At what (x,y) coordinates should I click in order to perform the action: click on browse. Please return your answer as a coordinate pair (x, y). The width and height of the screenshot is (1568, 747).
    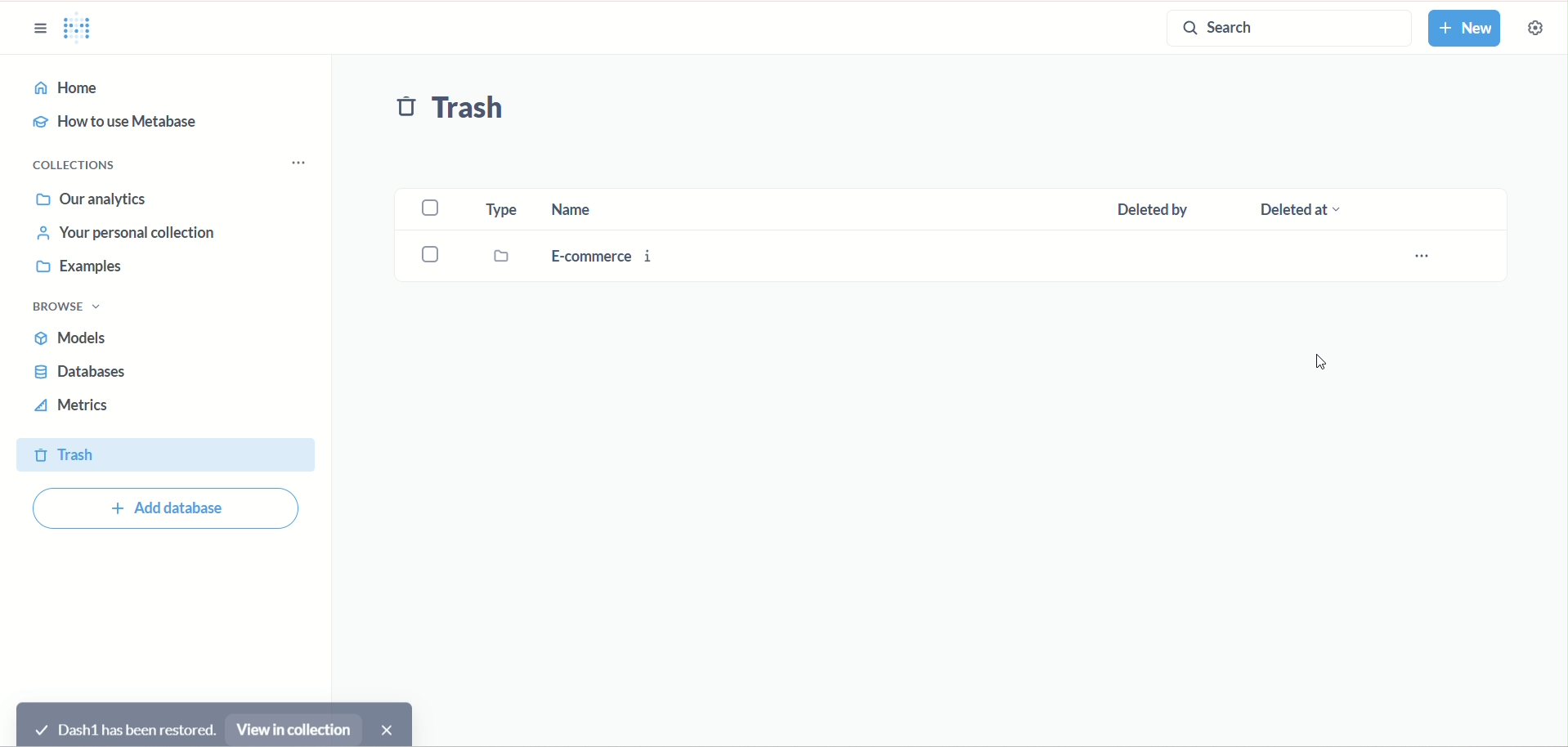
    Looking at the image, I should click on (68, 306).